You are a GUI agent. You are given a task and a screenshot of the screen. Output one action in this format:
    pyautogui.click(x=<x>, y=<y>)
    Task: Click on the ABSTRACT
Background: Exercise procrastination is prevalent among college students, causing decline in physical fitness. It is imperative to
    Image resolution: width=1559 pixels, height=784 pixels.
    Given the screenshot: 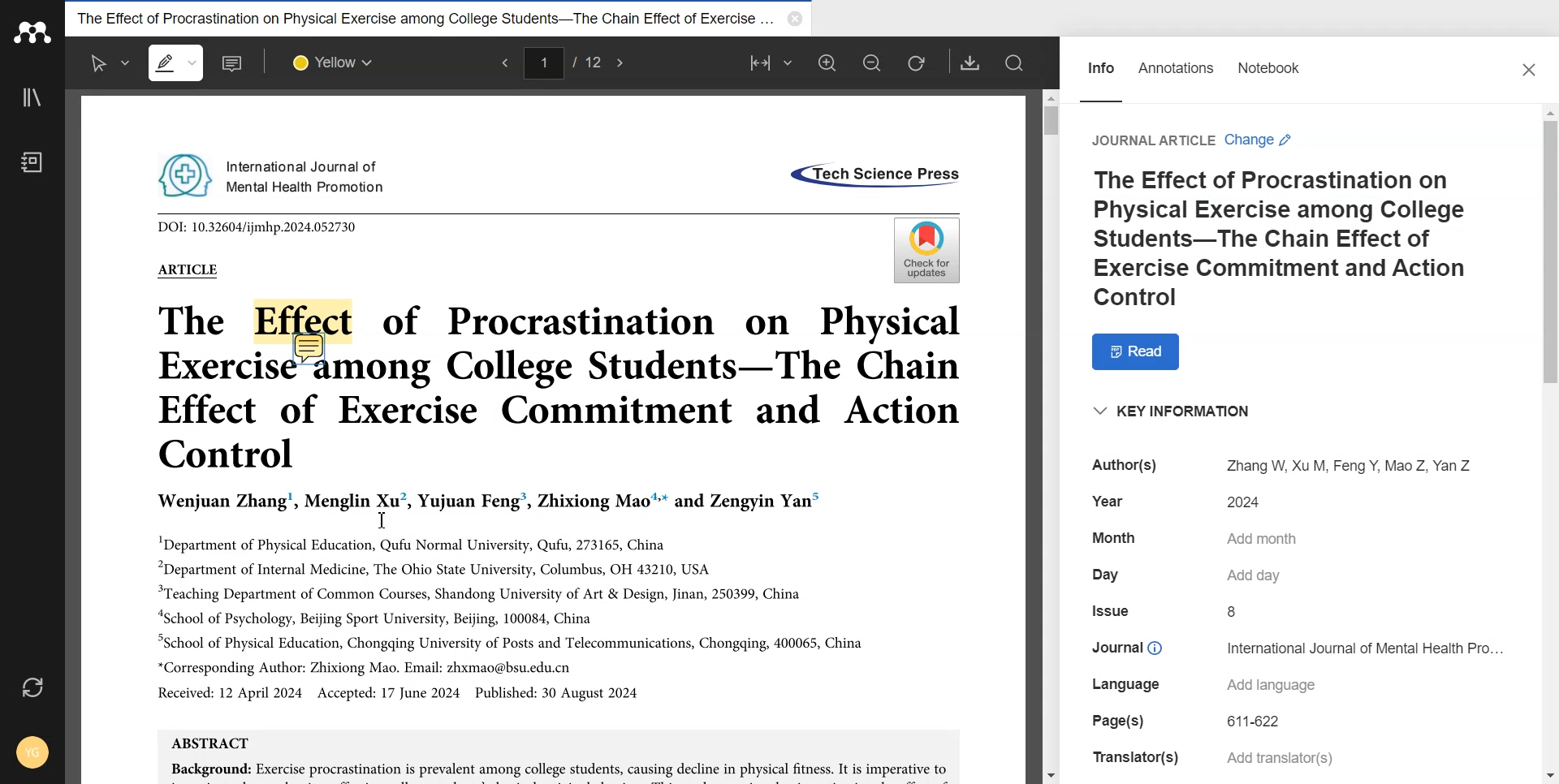 What is the action you would take?
    pyautogui.click(x=559, y=755)
    